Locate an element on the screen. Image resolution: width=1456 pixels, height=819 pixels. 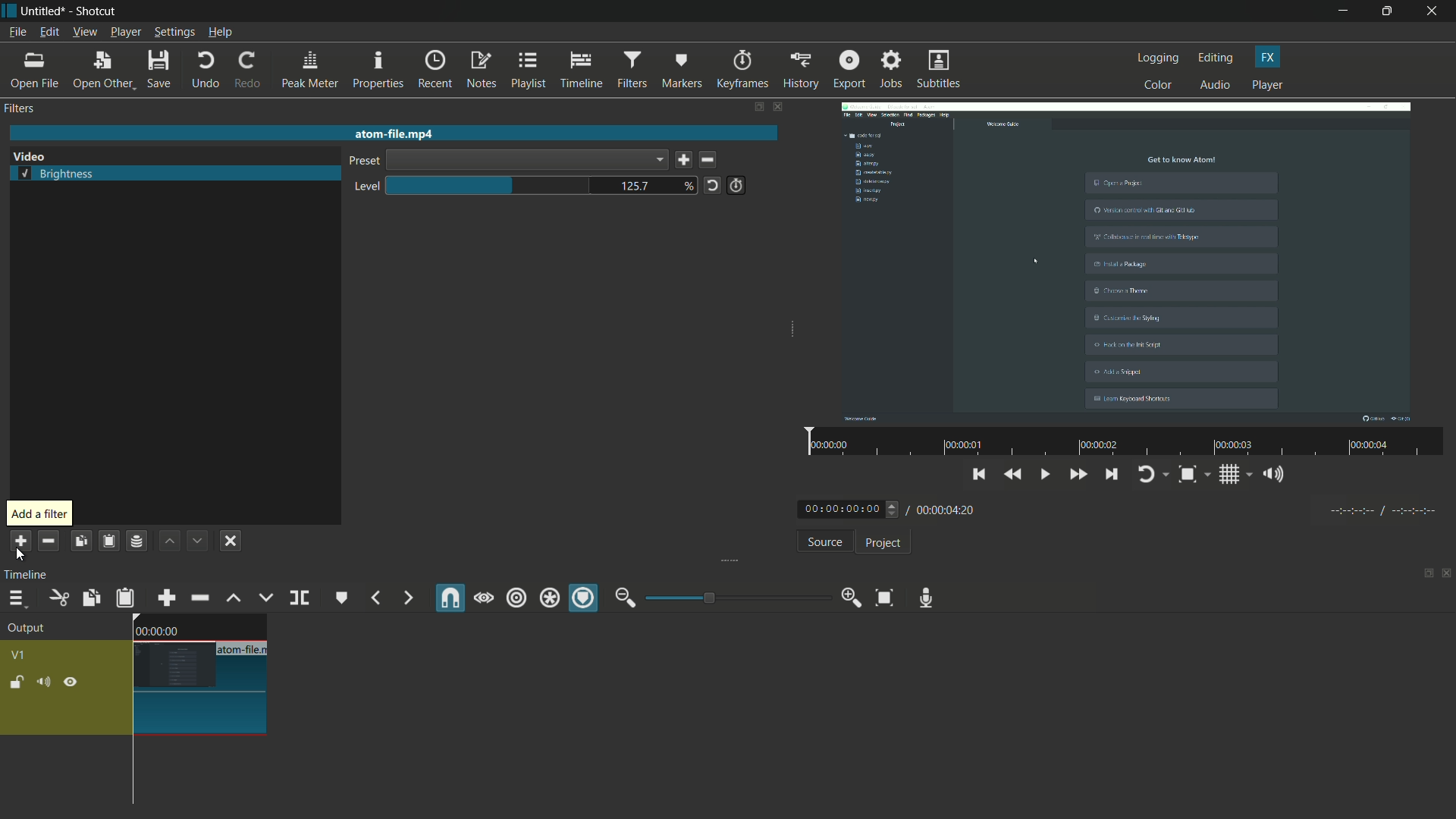
minimize is located at coordinates (1343, 11).